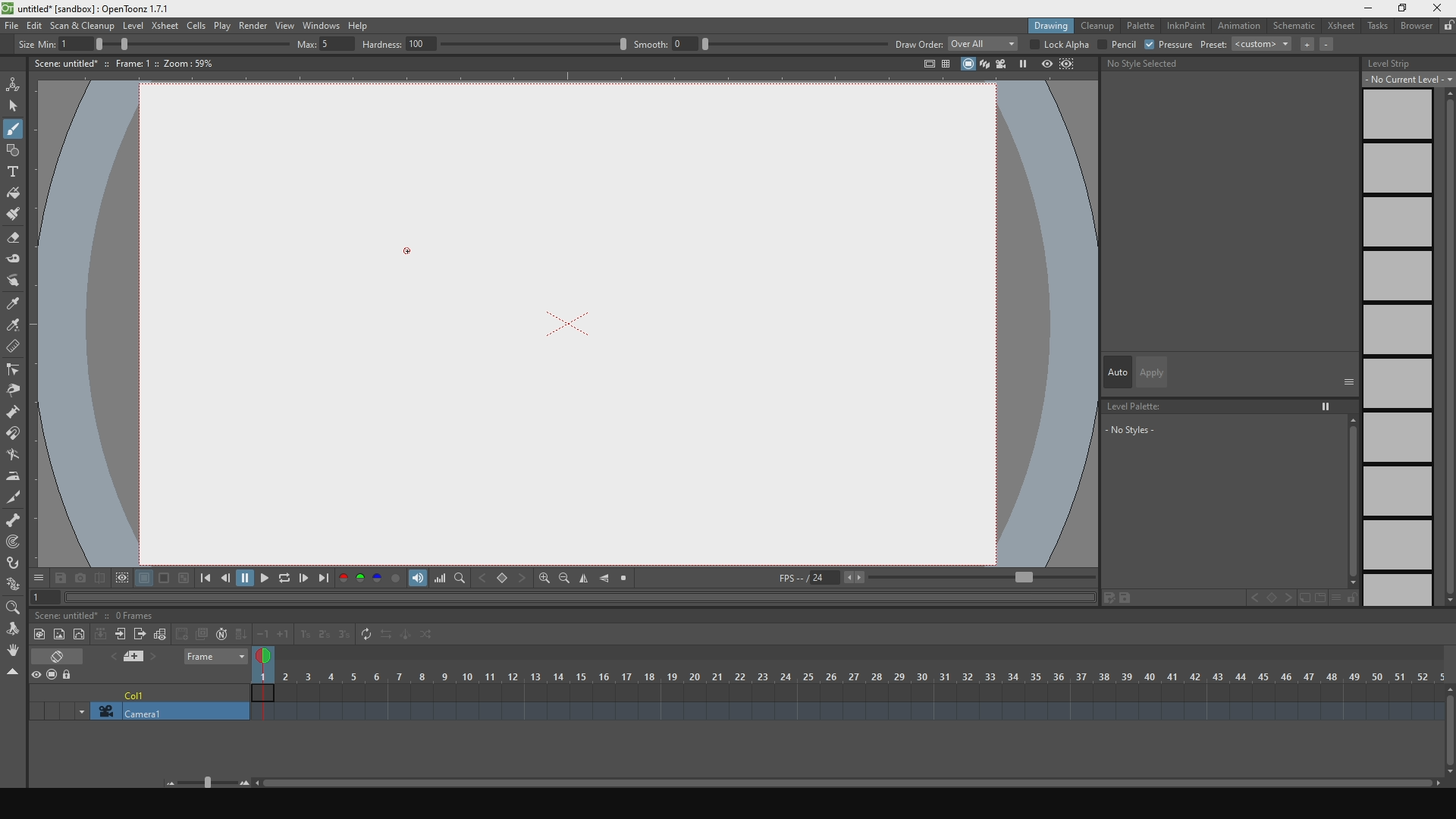 This screenshot has height=819, width=1456. Describe the element at coordinates (1262, 48) in the screenshot. I see `custom` at that location.